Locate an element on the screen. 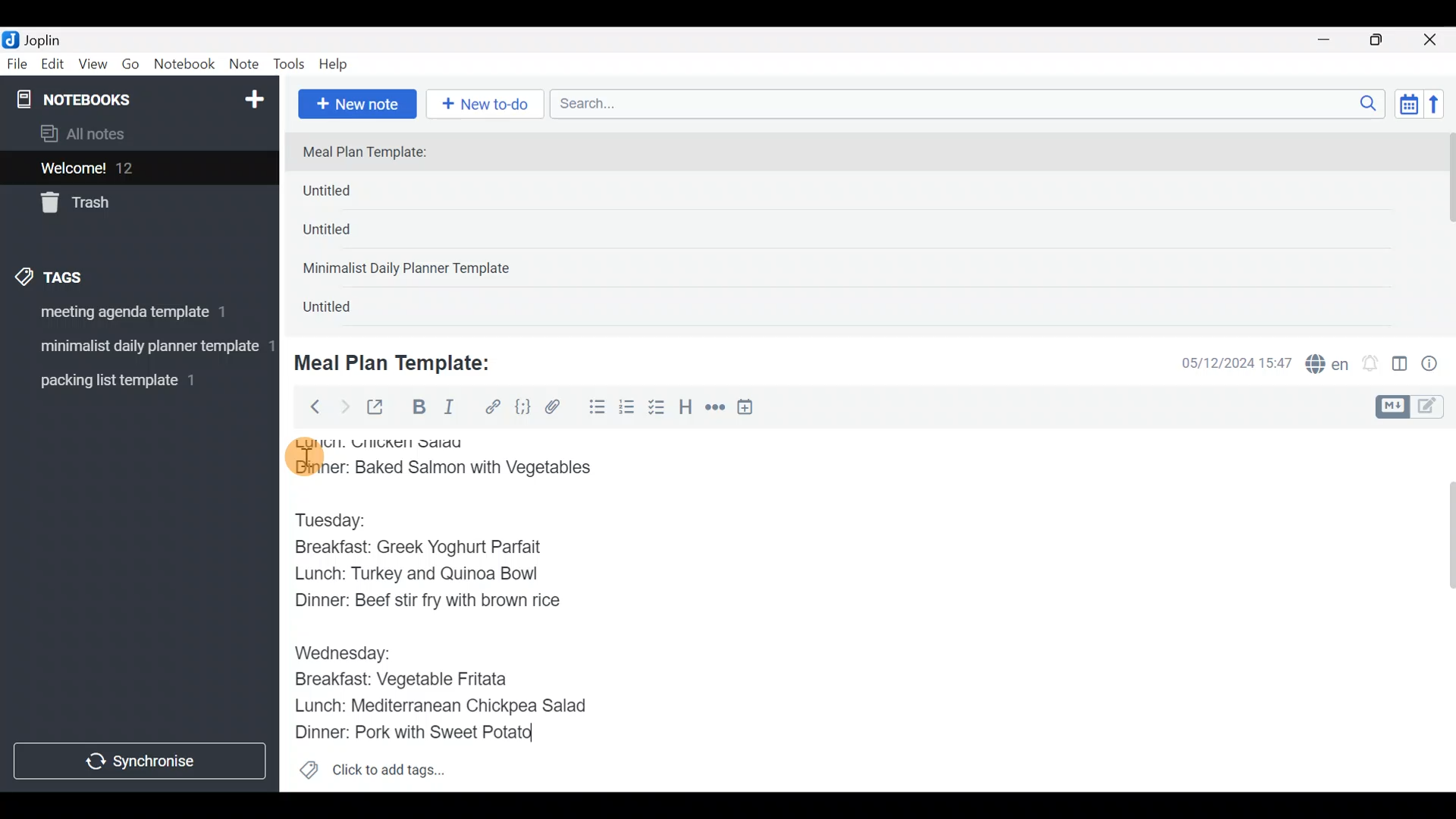 Image resolution: width=1456 pixels, height=819 pixels. Minimize is located at coordinates (1332, 38).